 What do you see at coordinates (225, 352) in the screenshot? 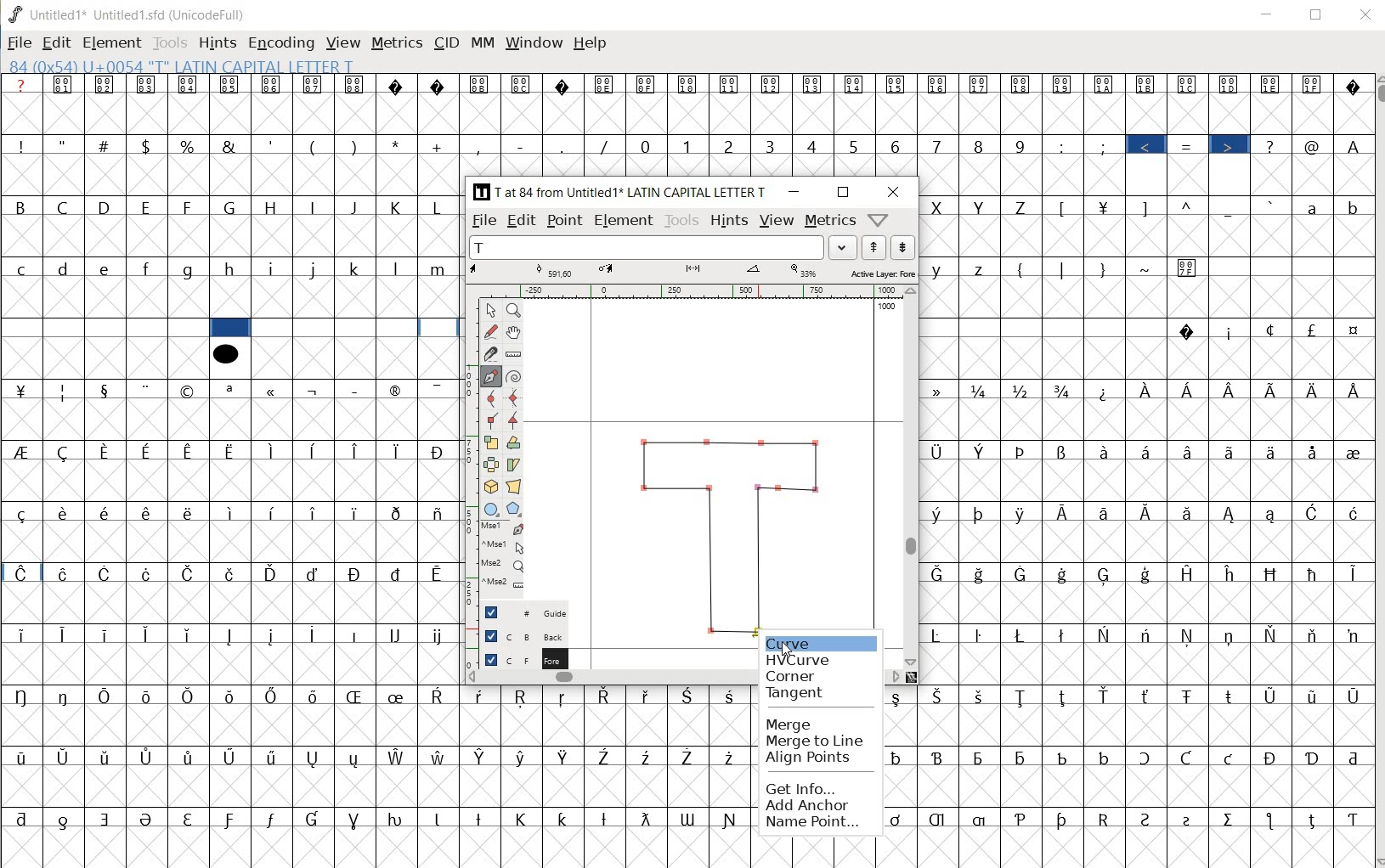
I see `symbol` at bounding box center [225, 352].